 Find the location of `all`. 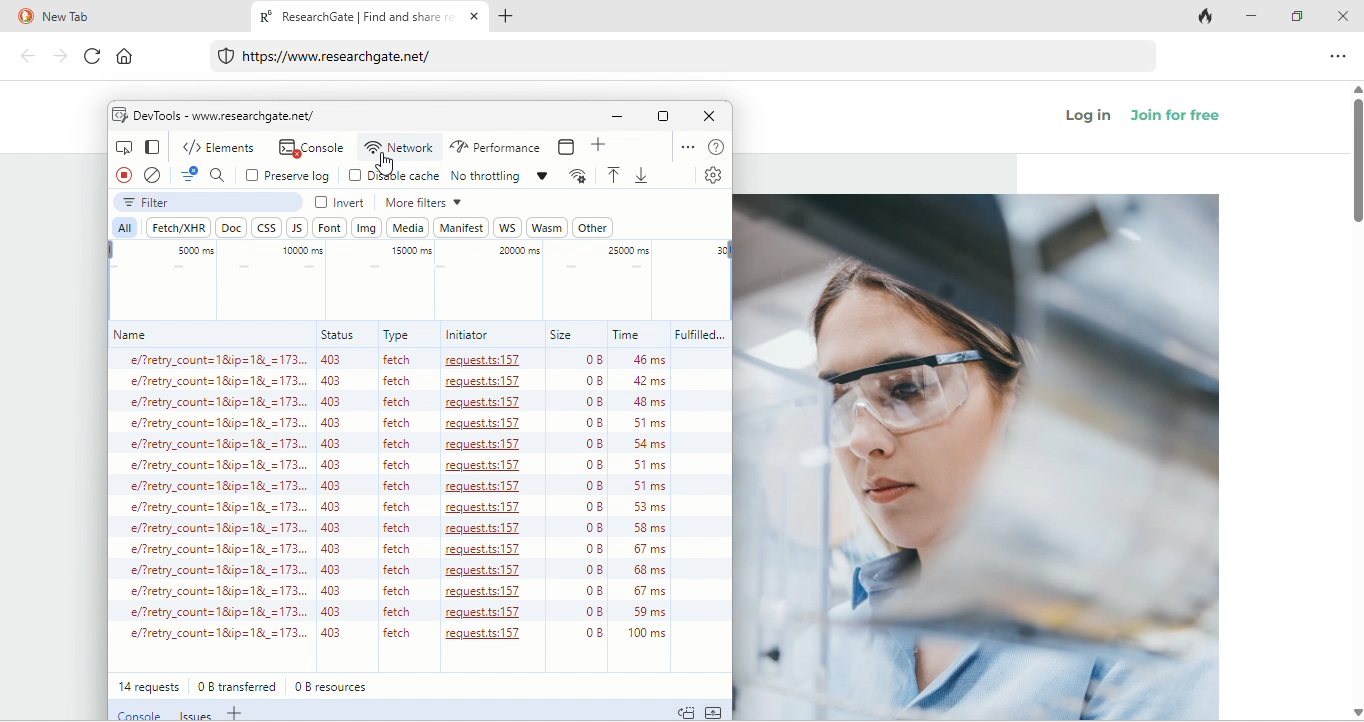

all is located at coordinates (123, 228).